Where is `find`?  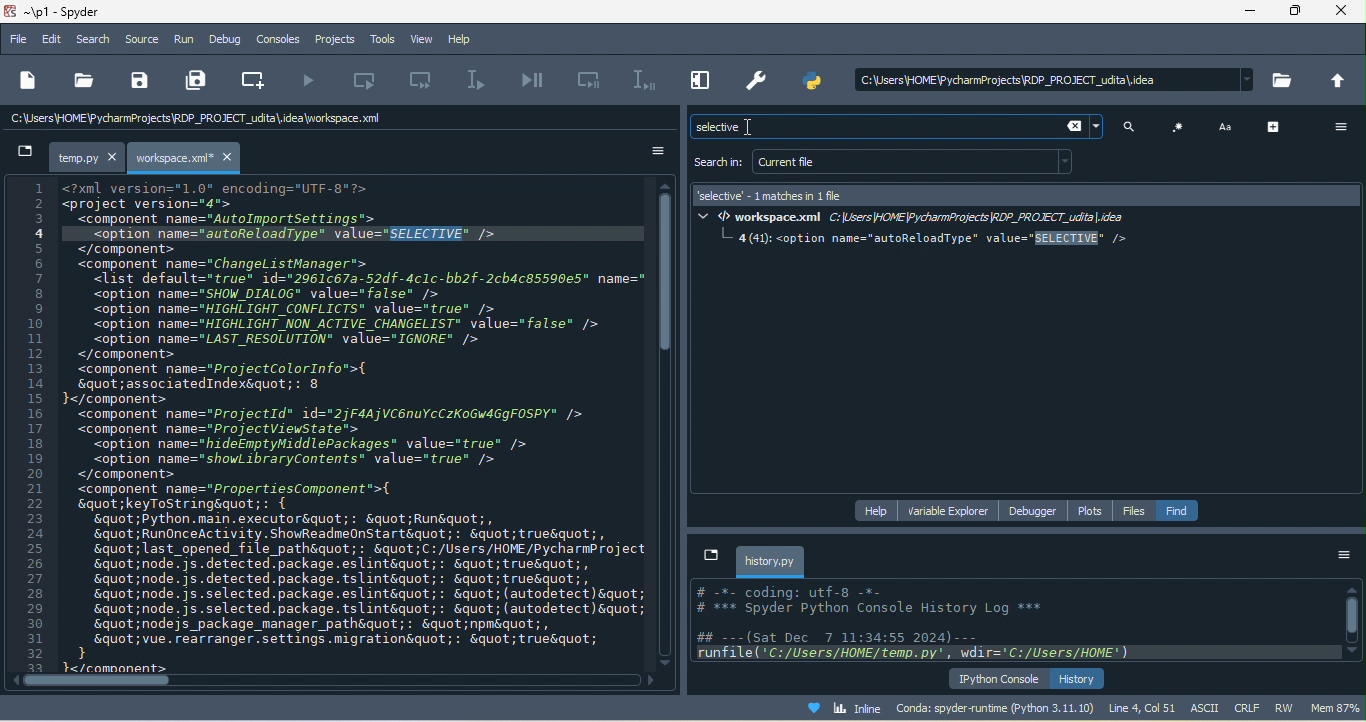 find is located at coordinates (1179, 510).